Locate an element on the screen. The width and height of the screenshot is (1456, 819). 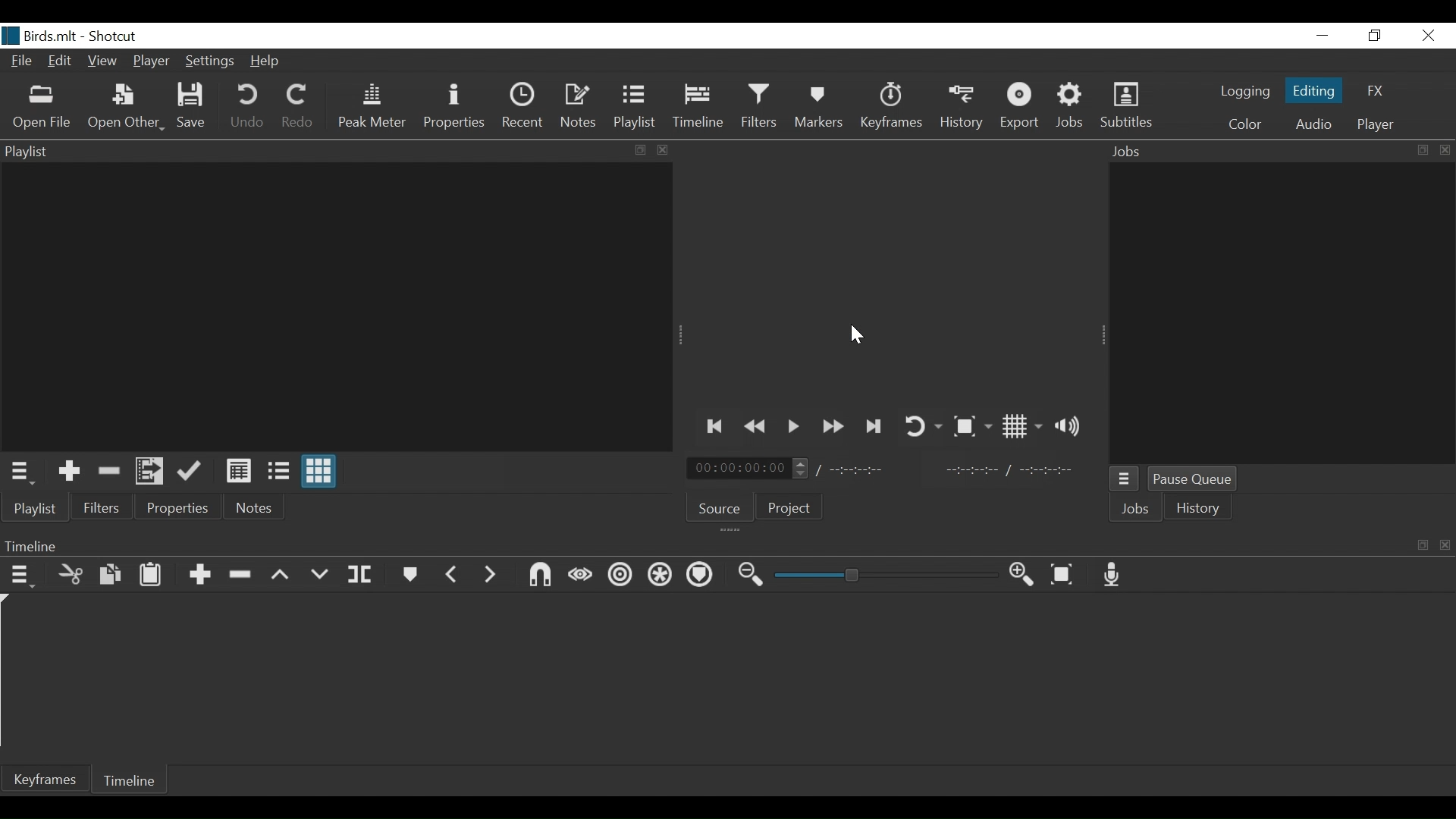
Edit is located at coordinates (61, 63).